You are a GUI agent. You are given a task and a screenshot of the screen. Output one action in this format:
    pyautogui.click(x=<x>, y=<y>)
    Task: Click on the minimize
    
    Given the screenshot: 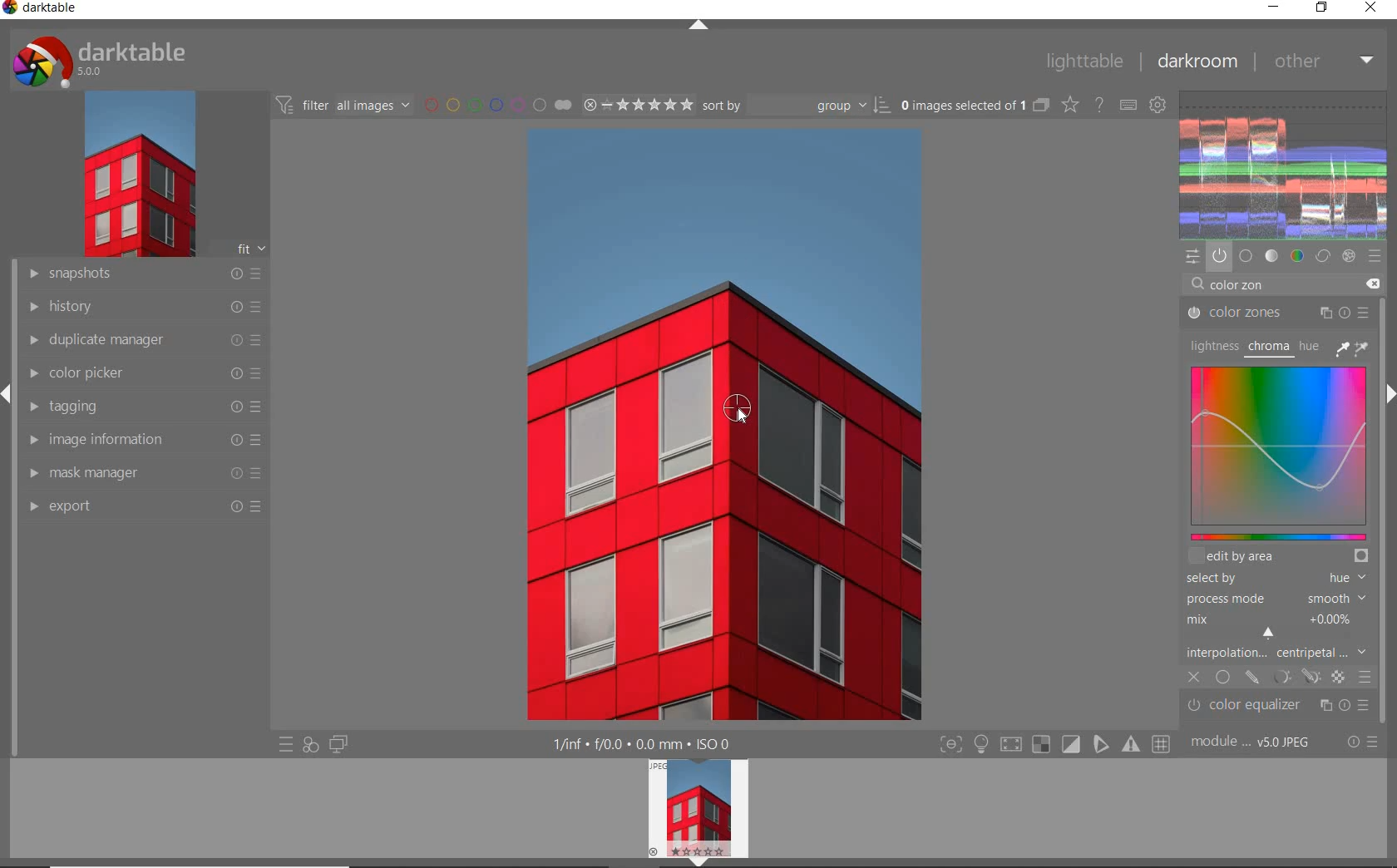 What is the action you would take?
    pyautogui.click(x=1274, y=8)
    